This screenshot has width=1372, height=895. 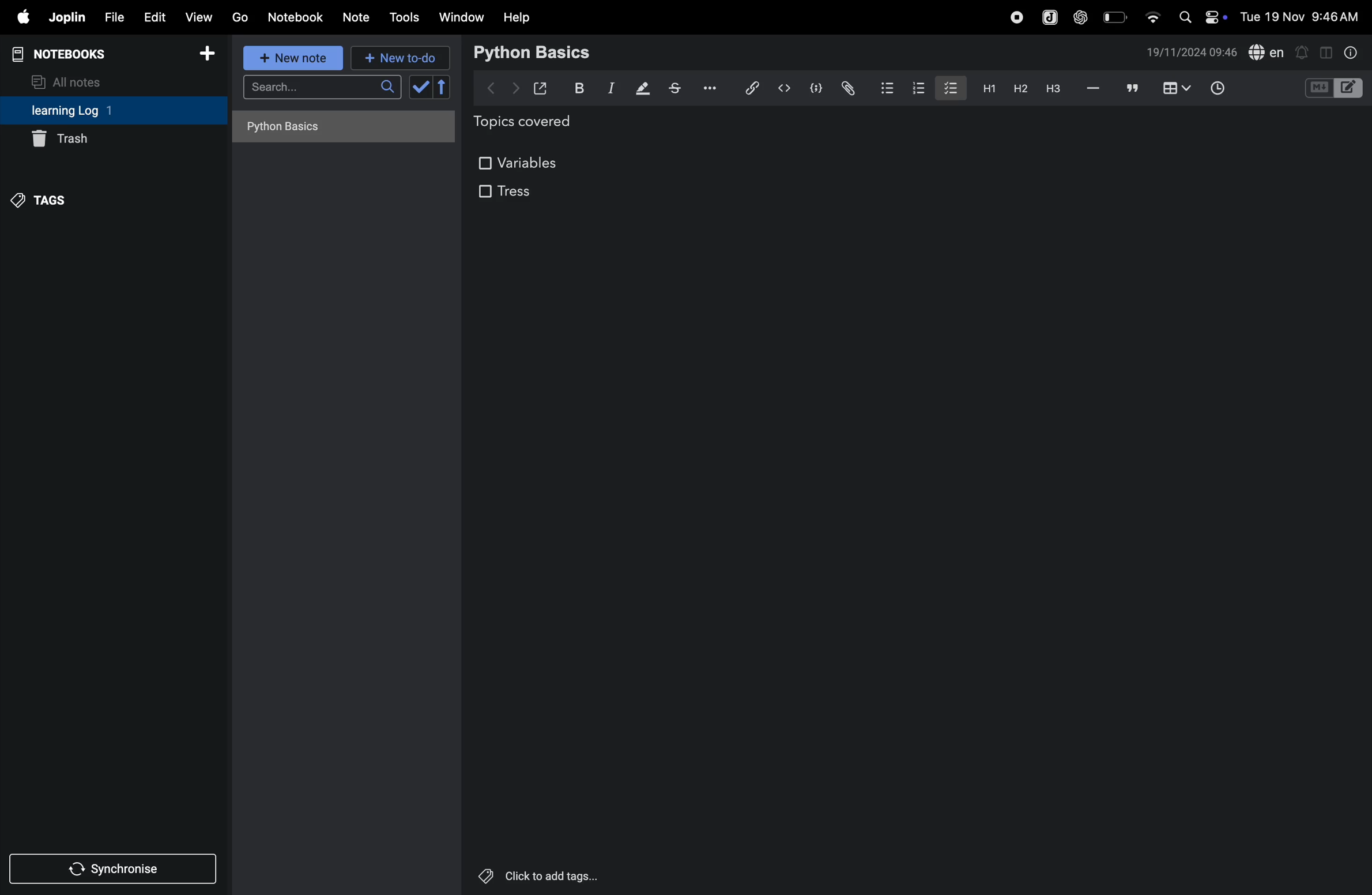 What do you see at coordinates (357, 18) in the screenshot?
I see `notes` at bounding box center [357, 18].